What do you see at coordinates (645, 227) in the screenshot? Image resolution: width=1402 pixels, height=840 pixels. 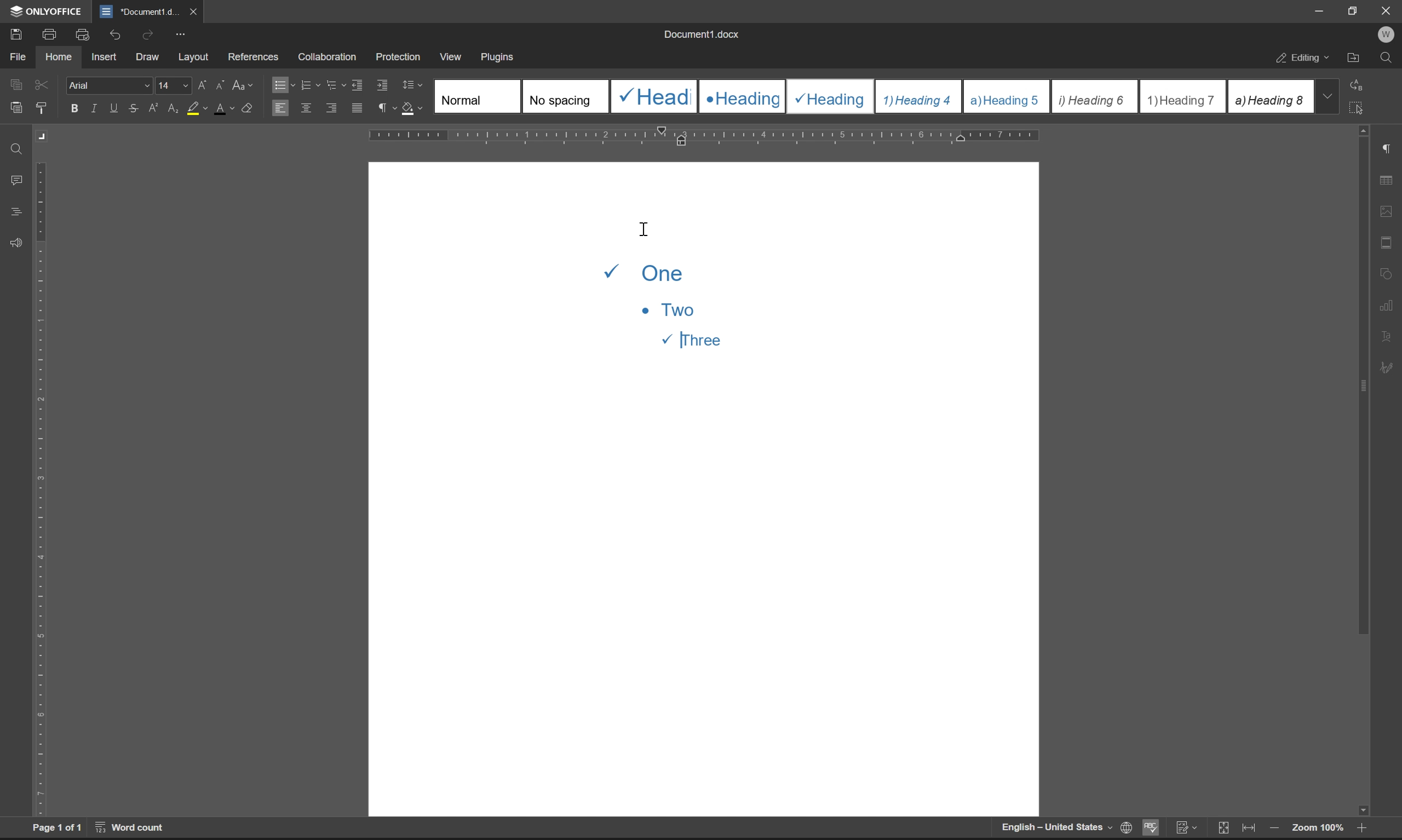 I see `cursor` at bounding box center [645, 227].